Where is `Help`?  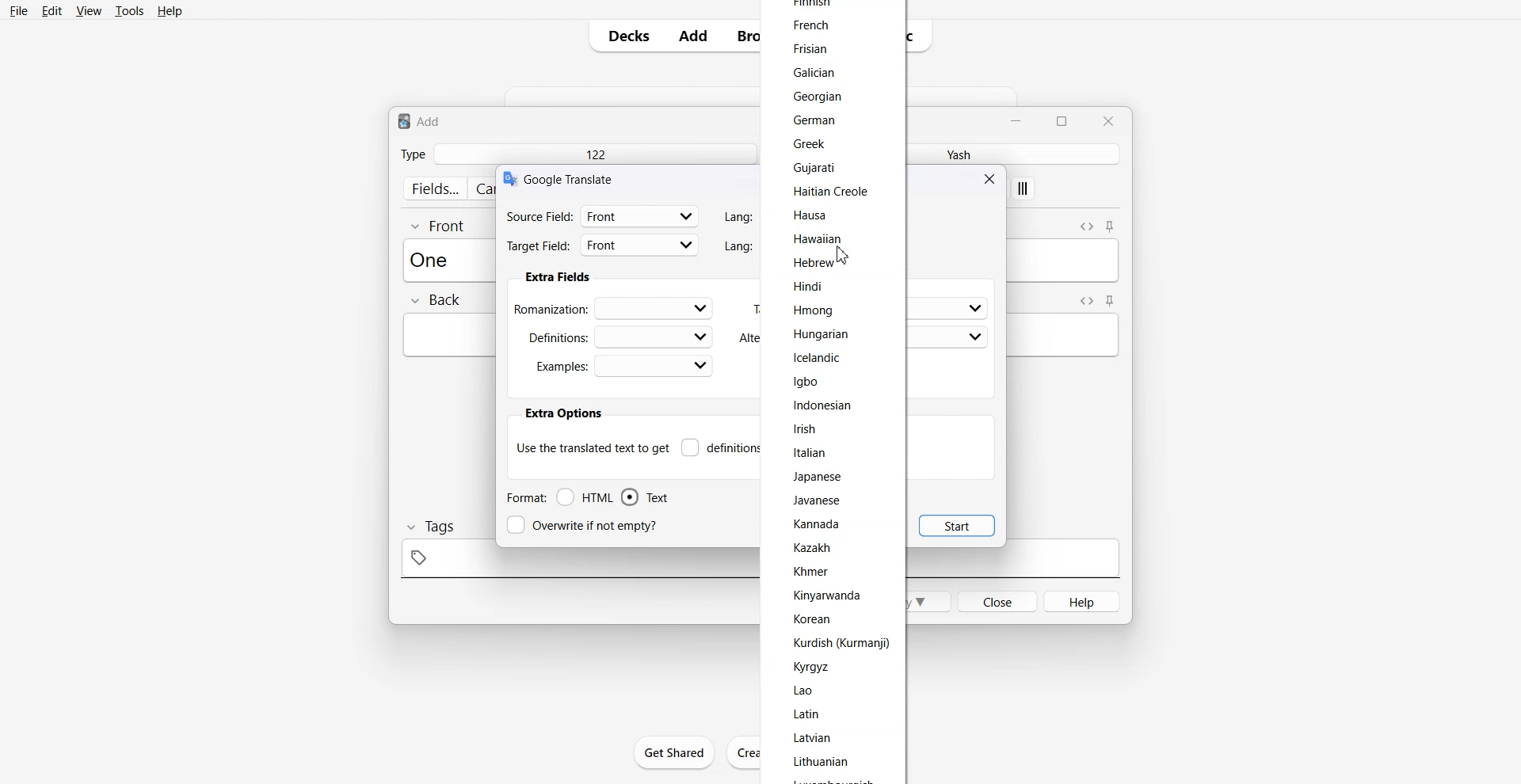 Help is located at coordinates (1083, 601).